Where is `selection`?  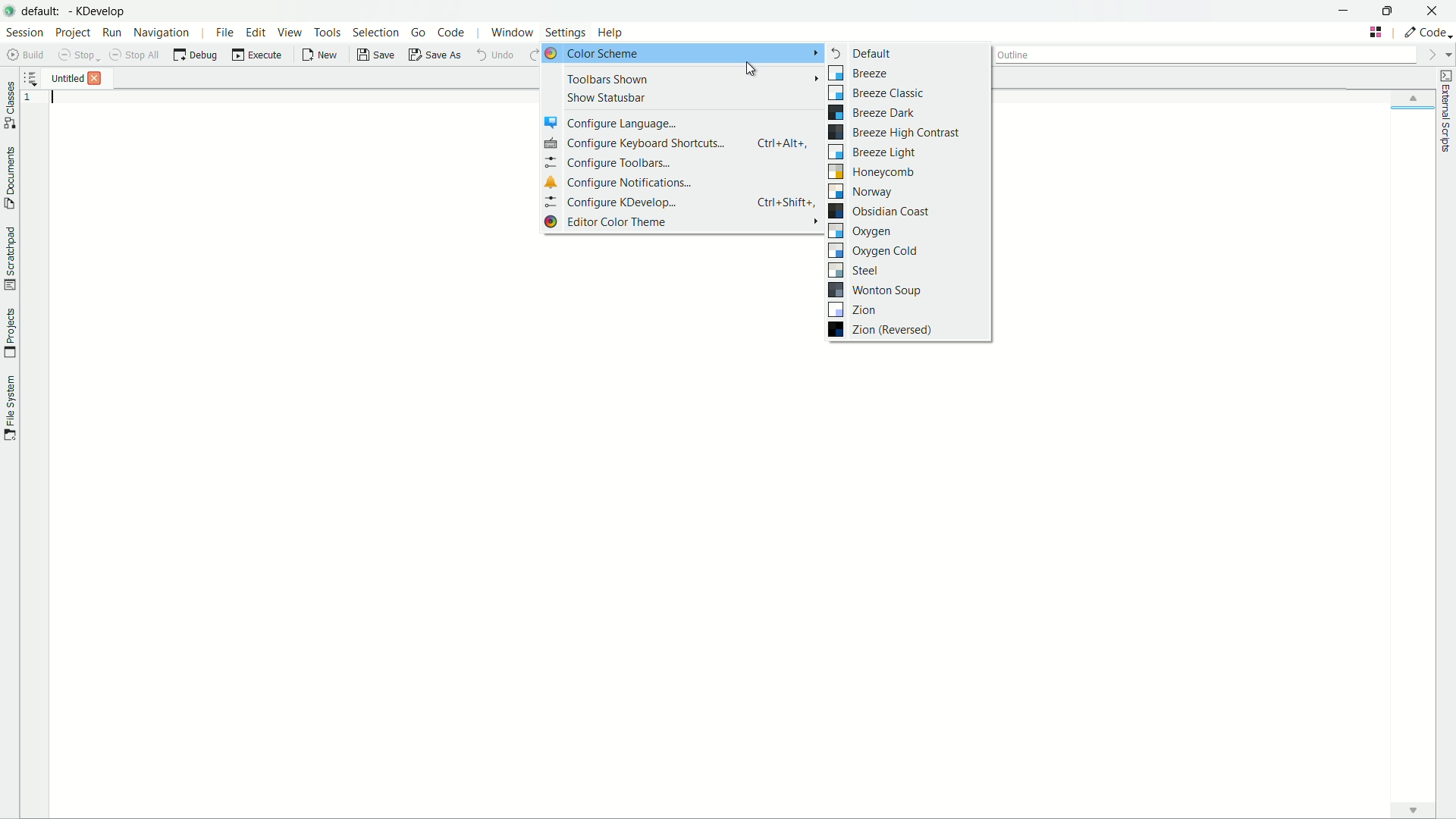 selection is located at coordinates (374, 33).